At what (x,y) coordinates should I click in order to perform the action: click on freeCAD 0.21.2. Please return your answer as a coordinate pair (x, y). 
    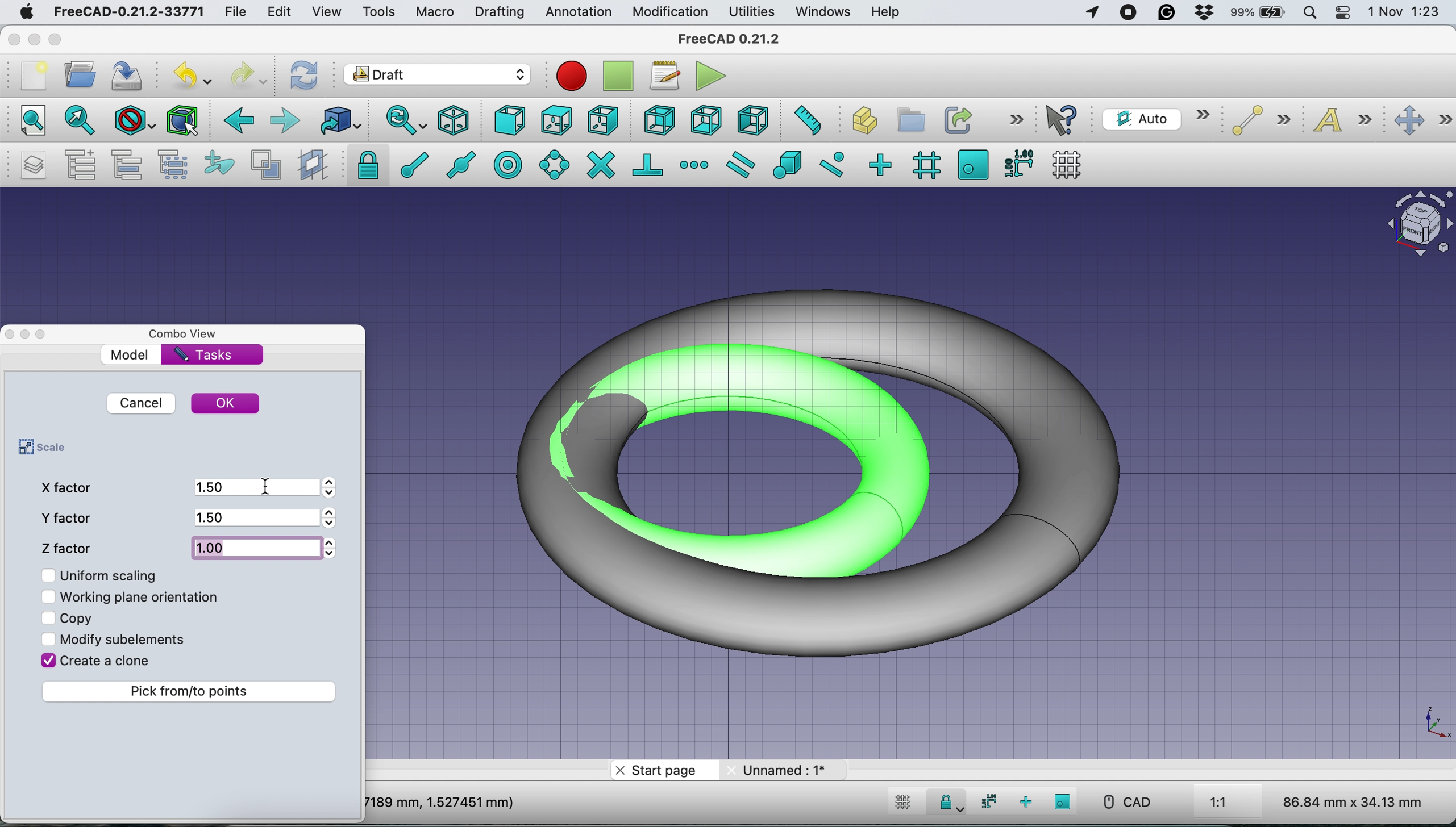
    Looking at the image, I should click on (729, 40).